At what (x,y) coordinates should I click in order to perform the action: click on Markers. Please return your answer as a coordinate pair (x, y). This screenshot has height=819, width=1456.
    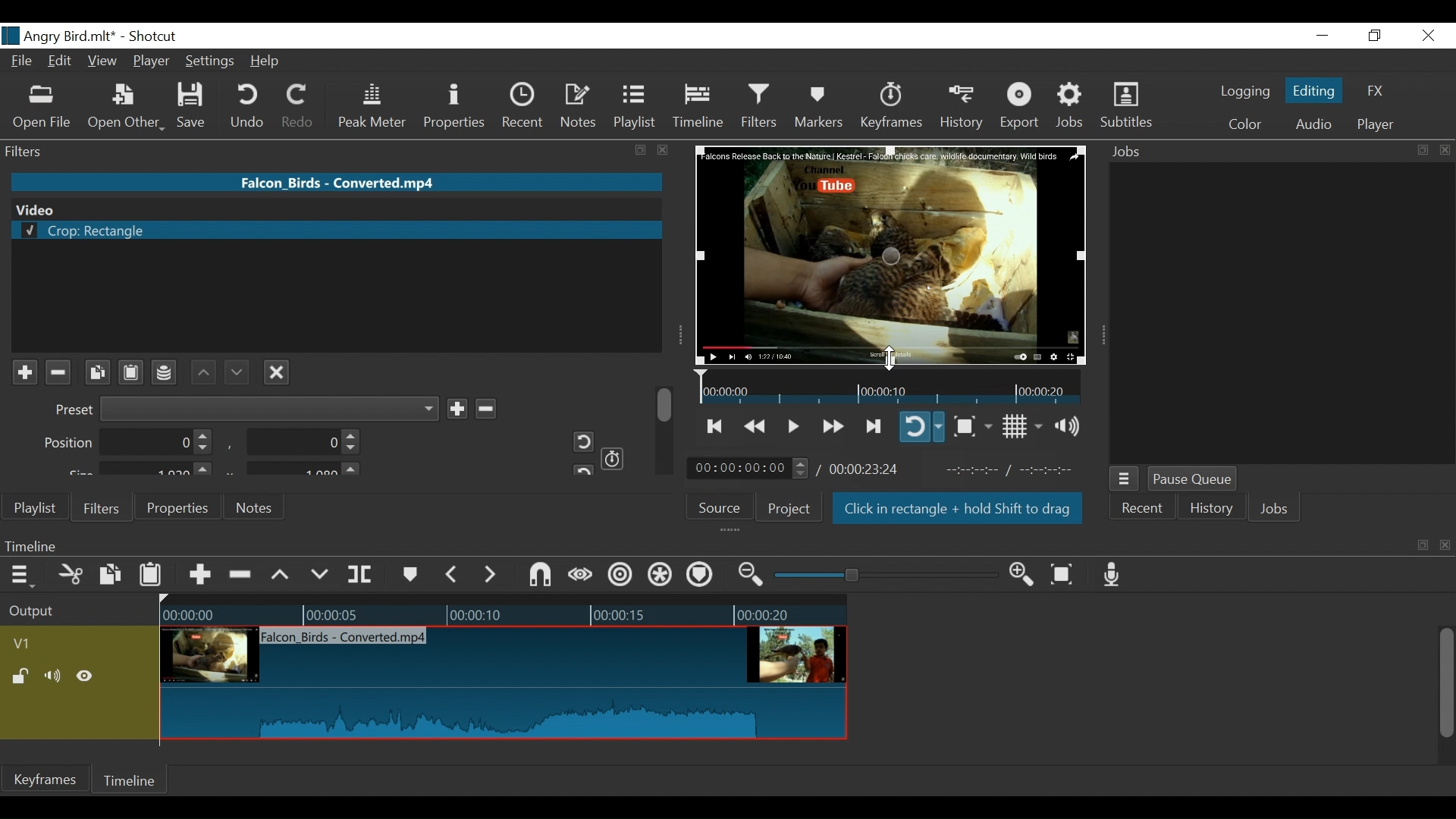
    Looking at the image, I should click on (409, 575).